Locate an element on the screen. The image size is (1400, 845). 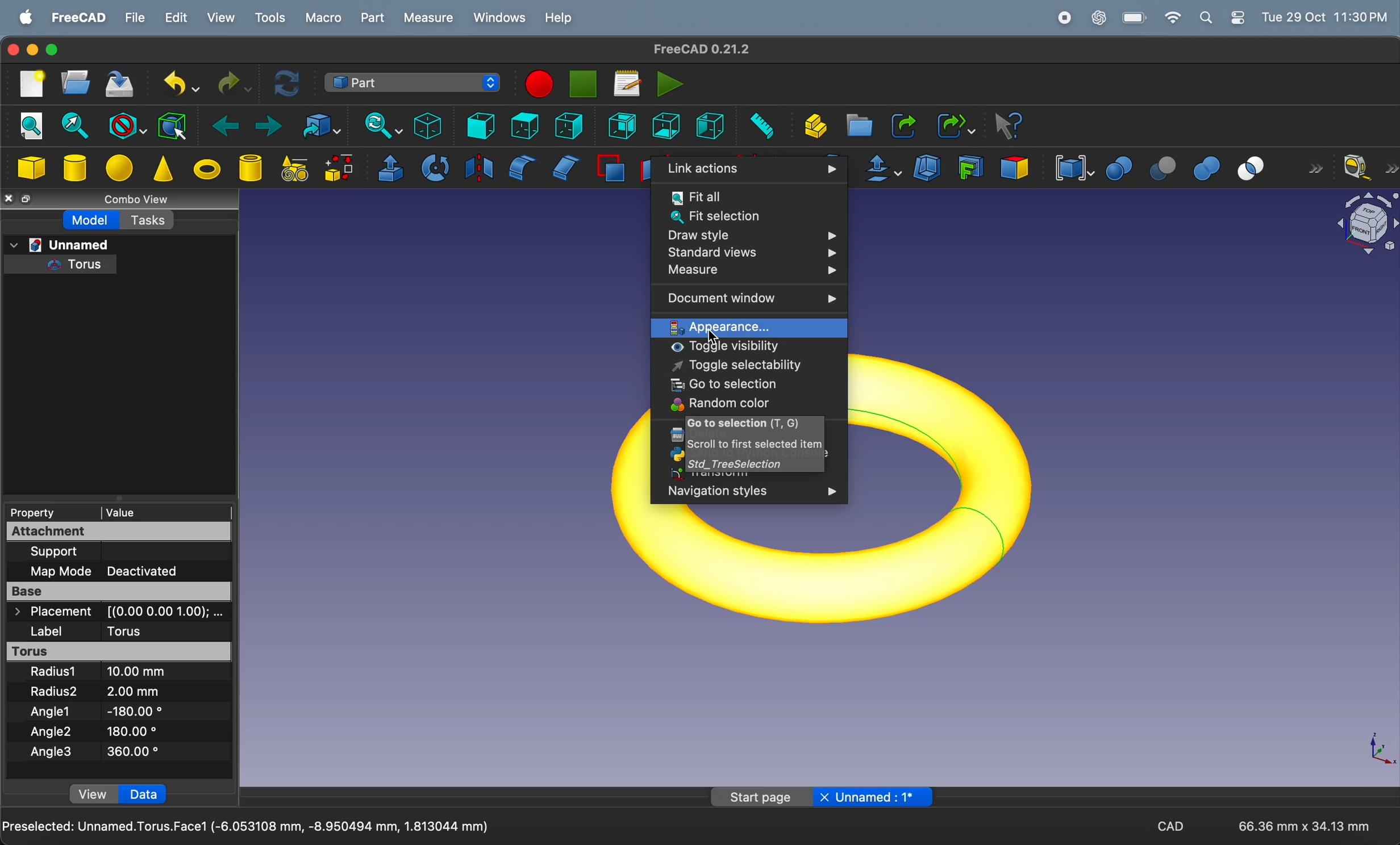
top view is located at coordinates (526, 126).